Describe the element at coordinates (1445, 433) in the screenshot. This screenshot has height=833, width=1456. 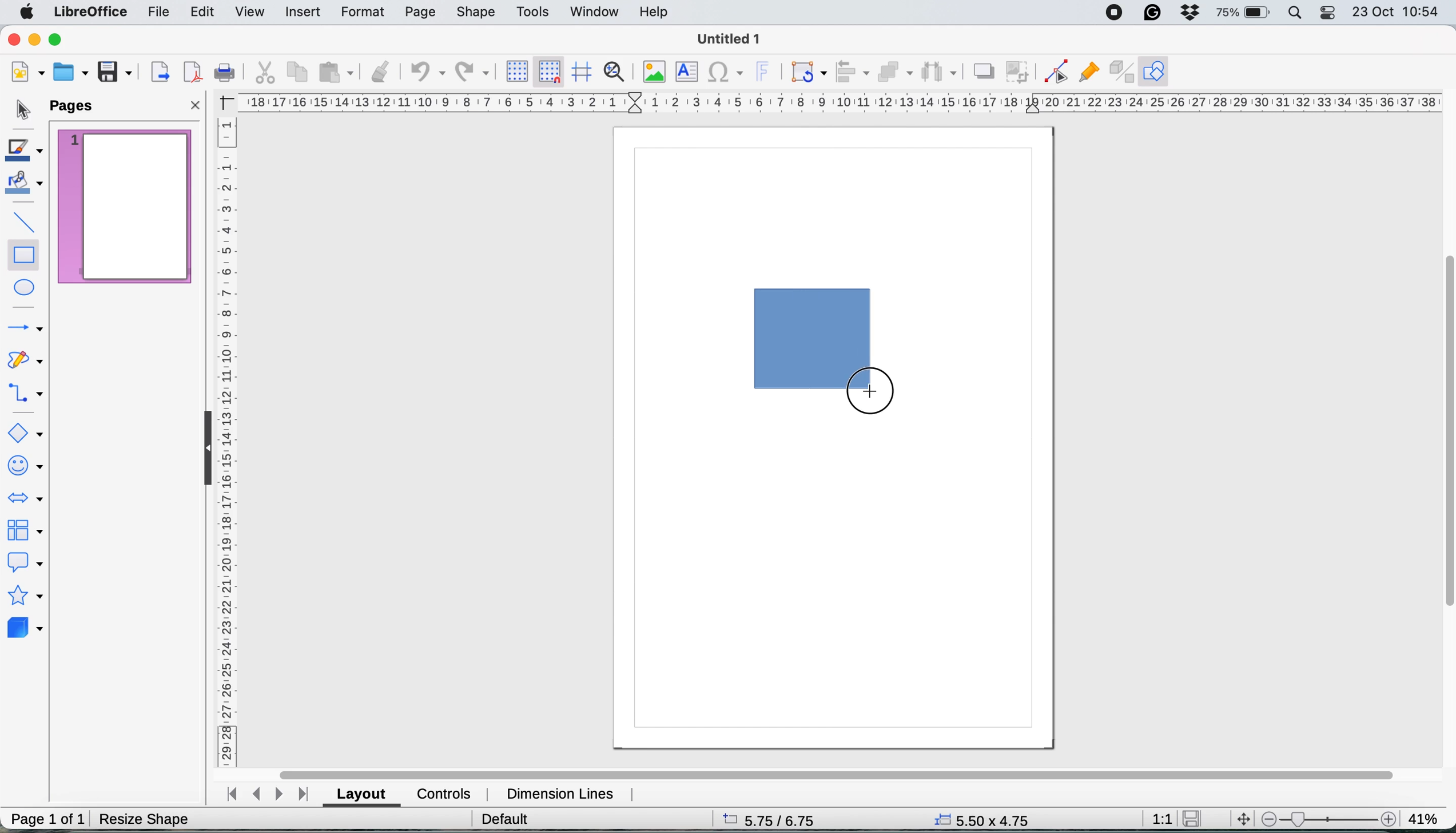
I see `vertical scroll bar` at that location.